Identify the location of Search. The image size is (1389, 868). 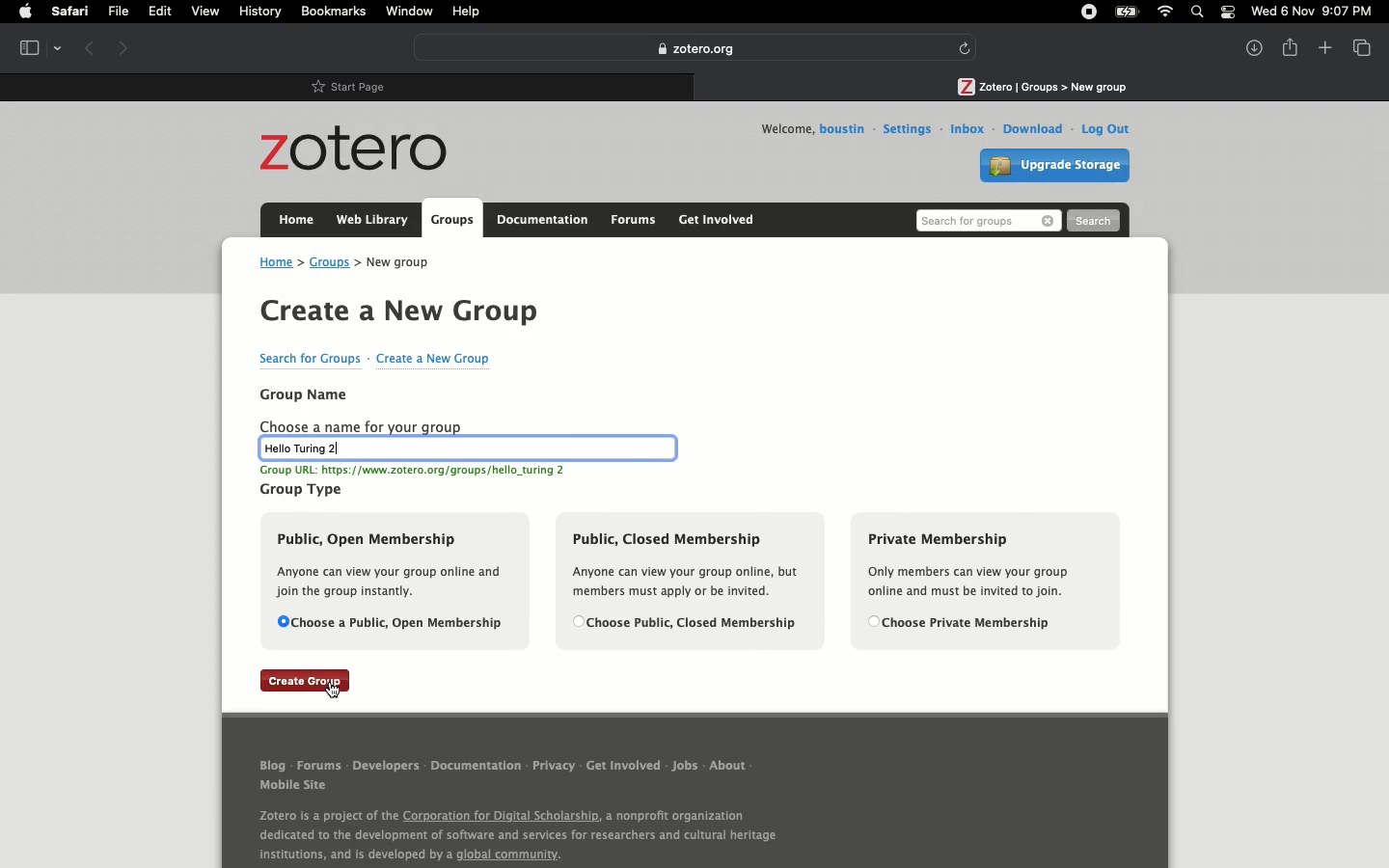
(1198, 12).